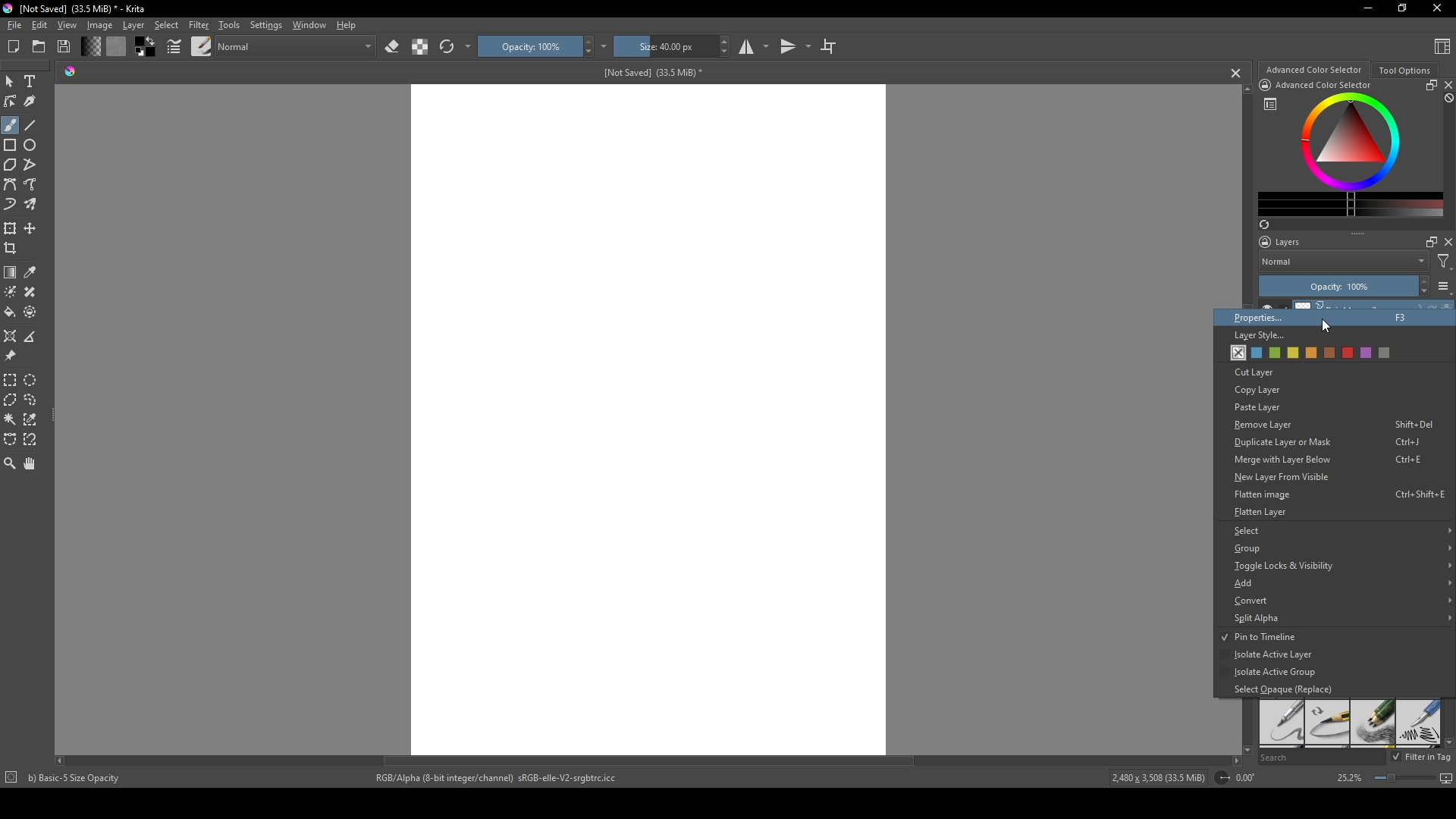 This screenshot has height=819, width=1456. What do you see at coordinates (1385, 353) in the screenshot?
I see `grey` at bounding box center [1385, 353].